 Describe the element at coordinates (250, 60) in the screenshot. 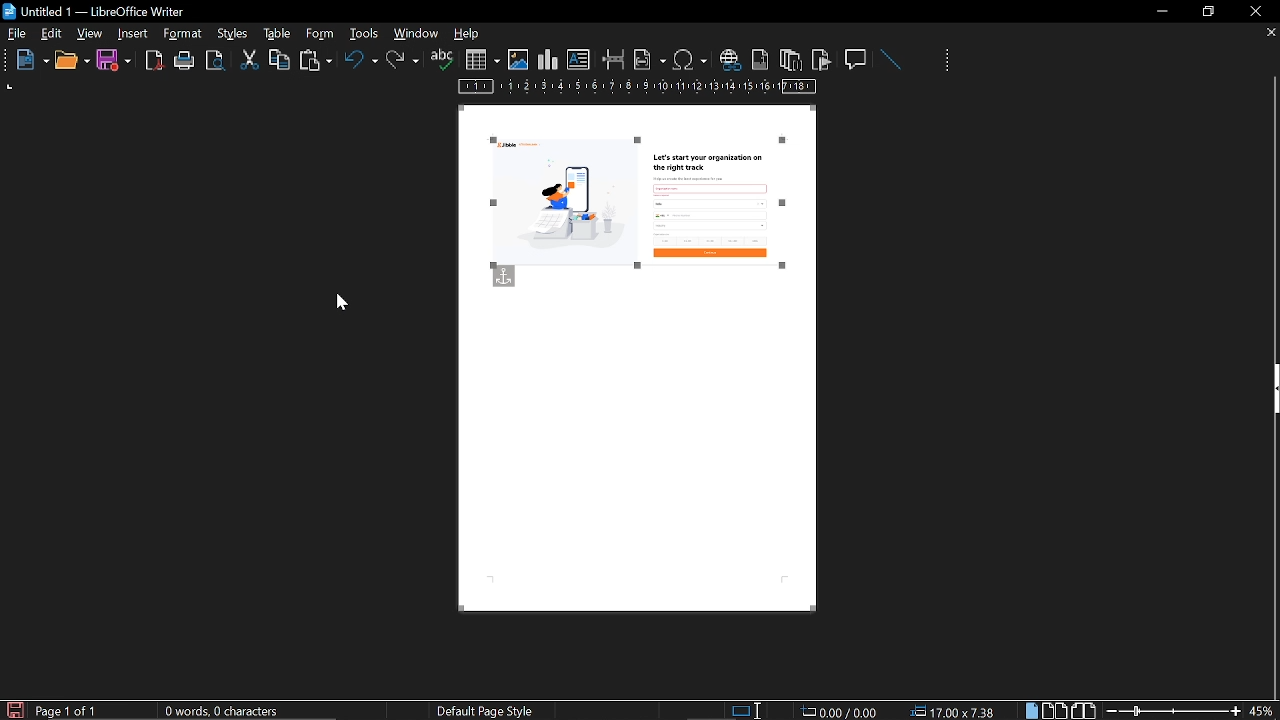

I see `cut ` at that location.